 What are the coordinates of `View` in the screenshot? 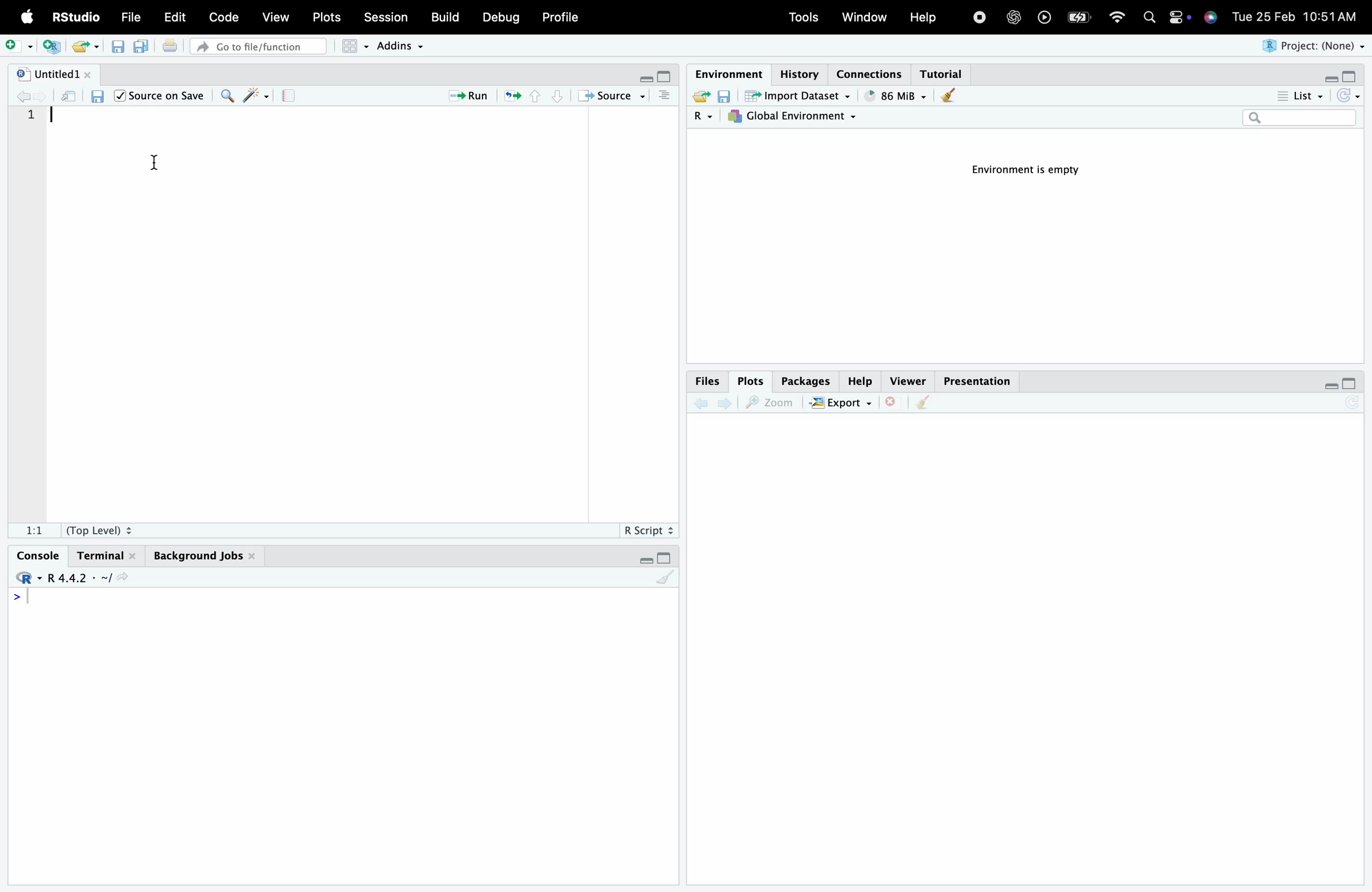 It's located at (278, 17).